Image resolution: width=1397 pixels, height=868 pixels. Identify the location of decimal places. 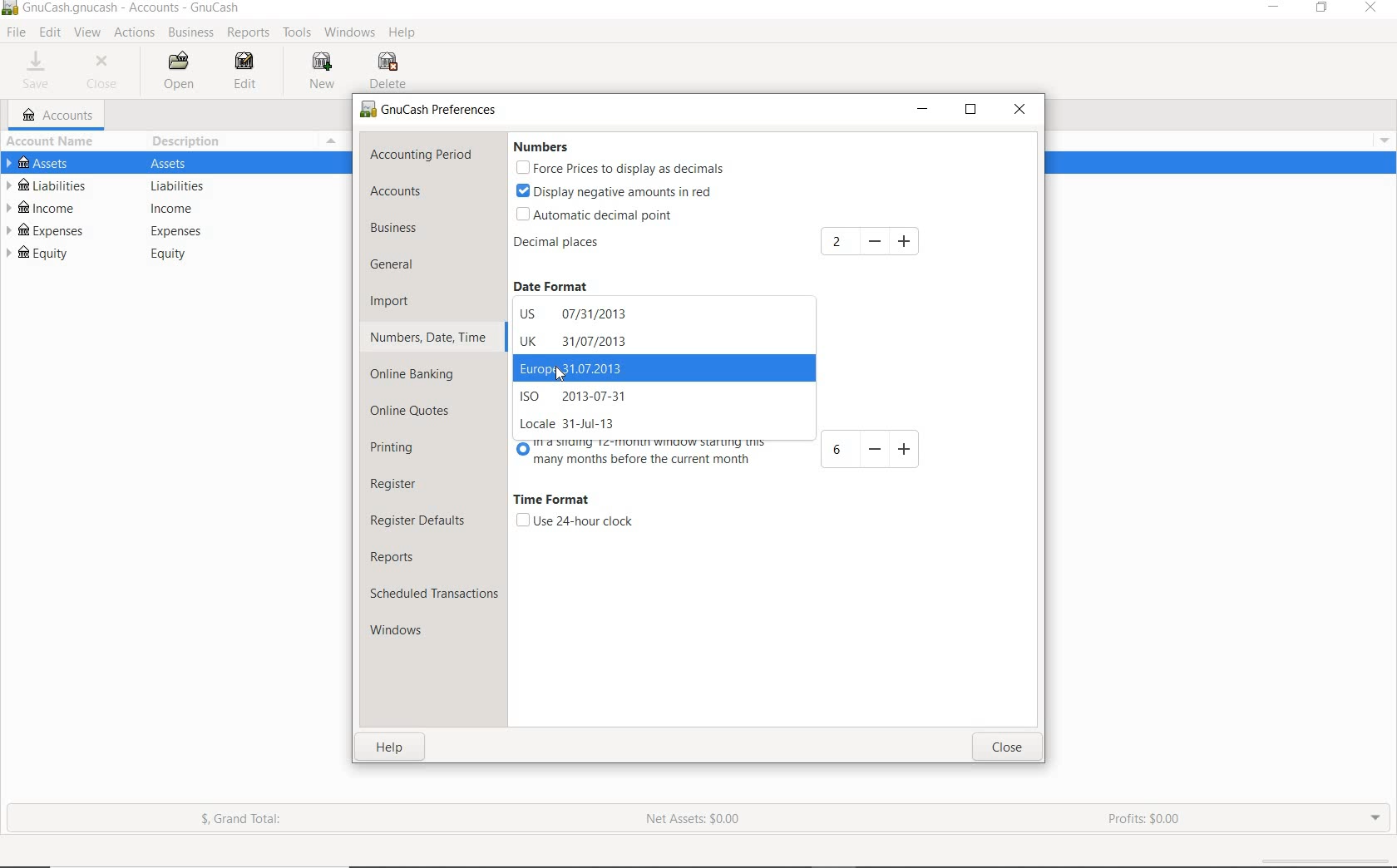
(583, 245).